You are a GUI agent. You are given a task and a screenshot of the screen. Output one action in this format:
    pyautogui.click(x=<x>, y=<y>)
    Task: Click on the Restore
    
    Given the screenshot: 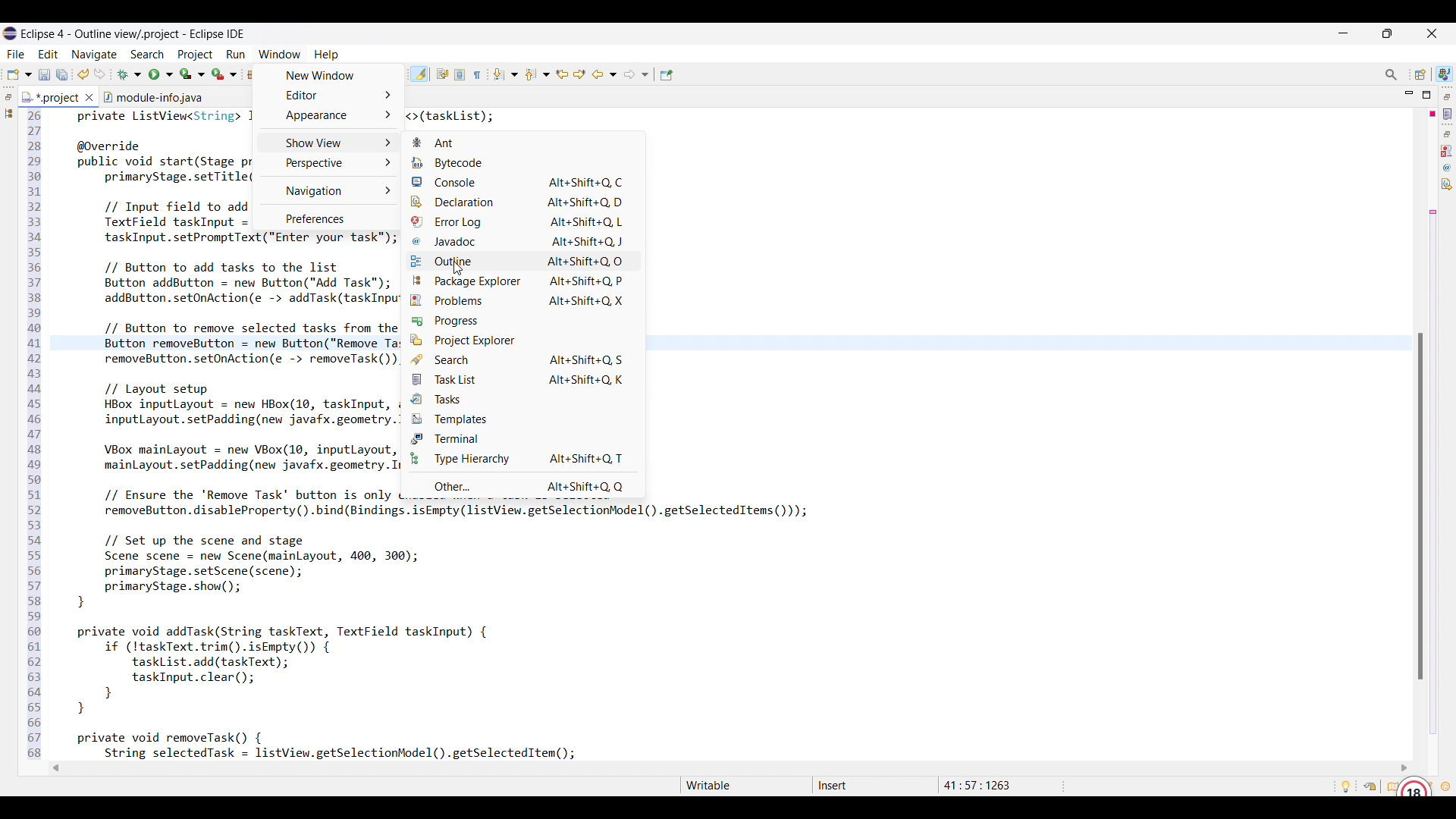 What is the action you would take?
    pyautogui.click(x=1448, y=96)
    